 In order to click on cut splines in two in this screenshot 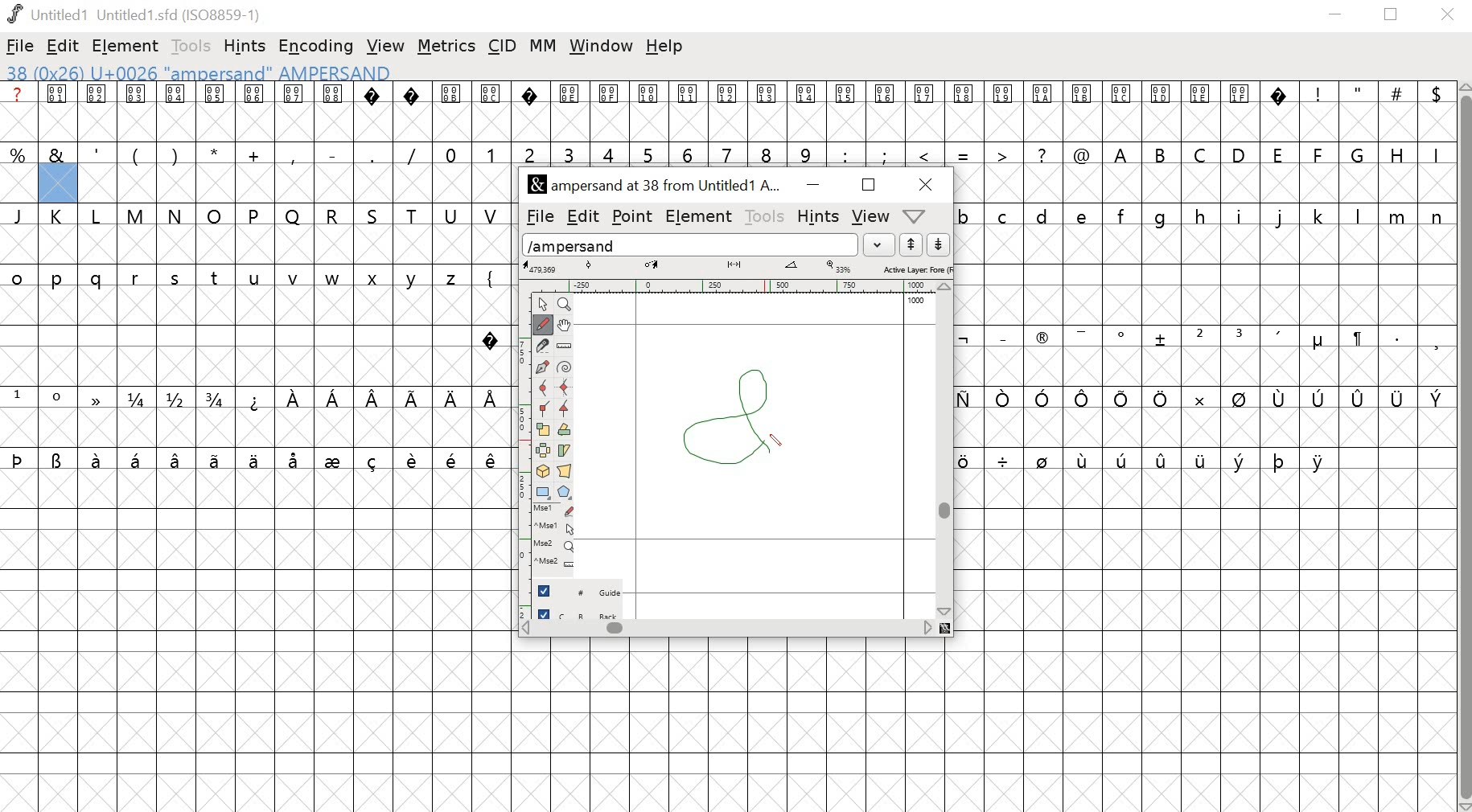, I will do `click(542, 347)`.